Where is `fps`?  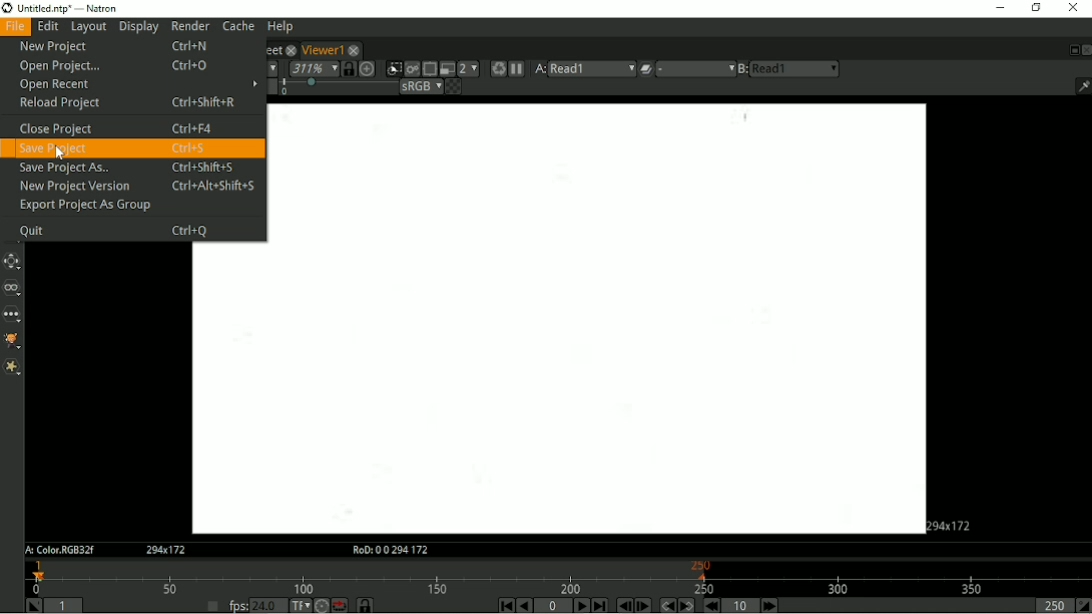
fps is located at coordinates (238, 606).